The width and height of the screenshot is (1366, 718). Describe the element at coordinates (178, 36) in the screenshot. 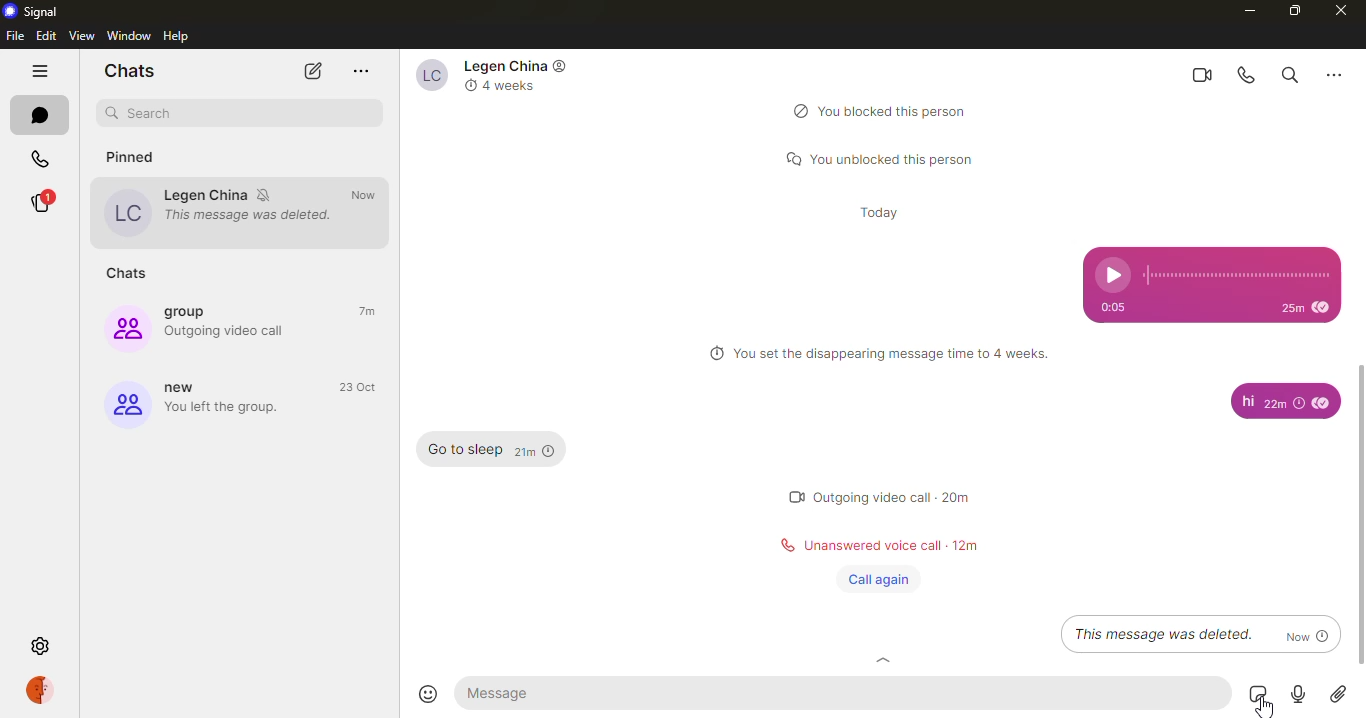

I see `help` at that location.